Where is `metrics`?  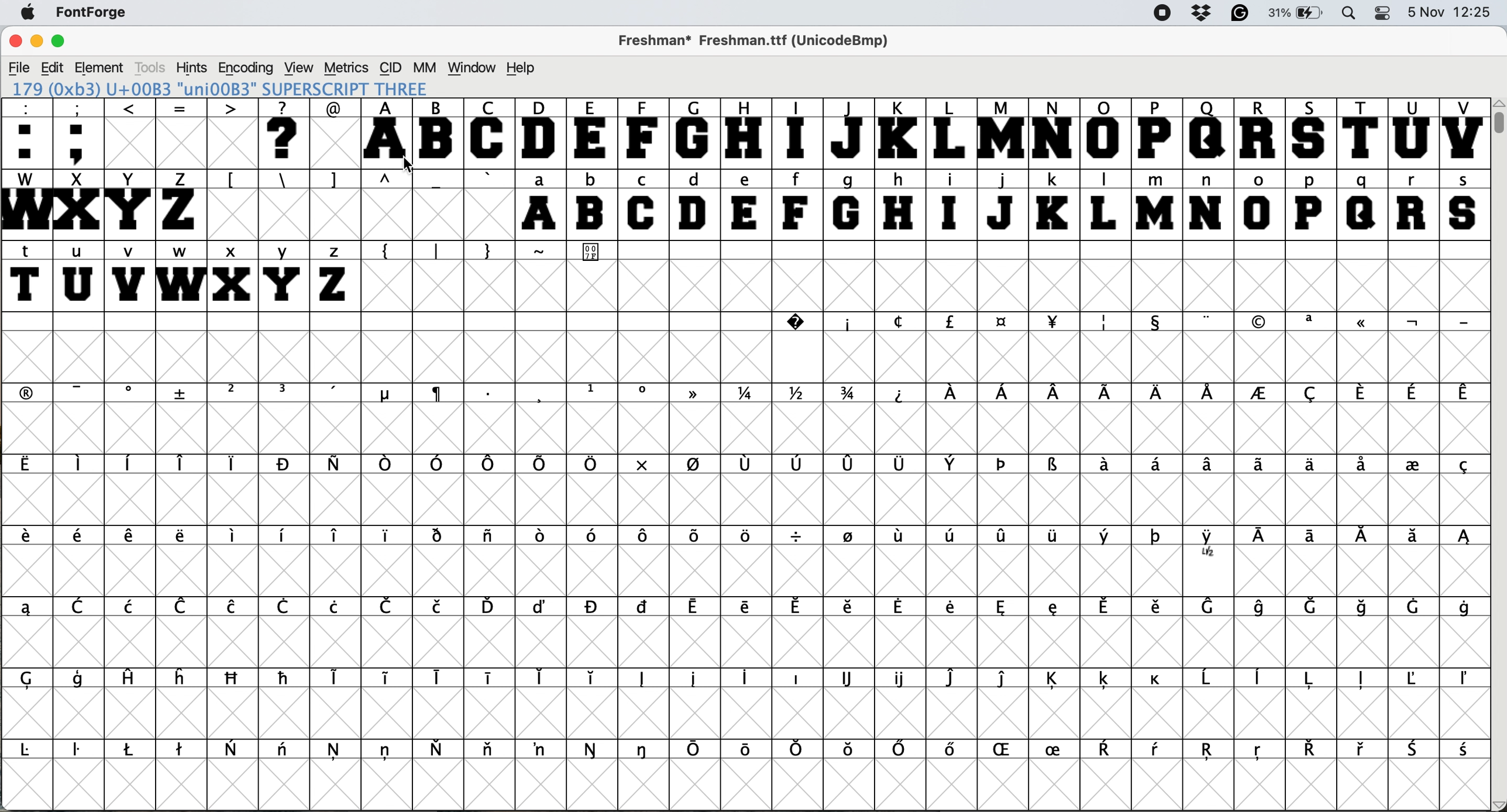
metrics is located at coordinates (345, 67).